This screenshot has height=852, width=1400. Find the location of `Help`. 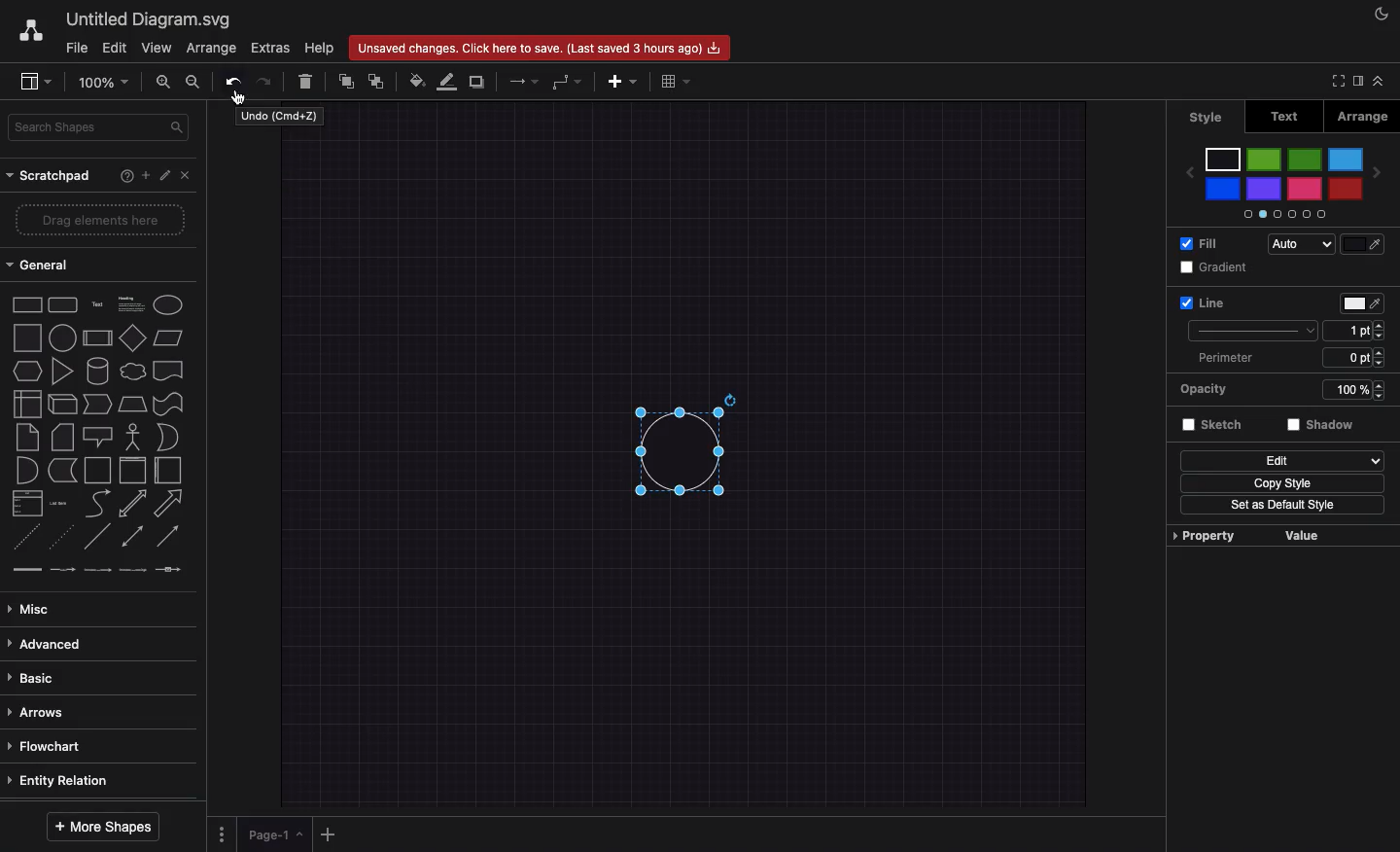

Help is located at coordinates (123, 178).